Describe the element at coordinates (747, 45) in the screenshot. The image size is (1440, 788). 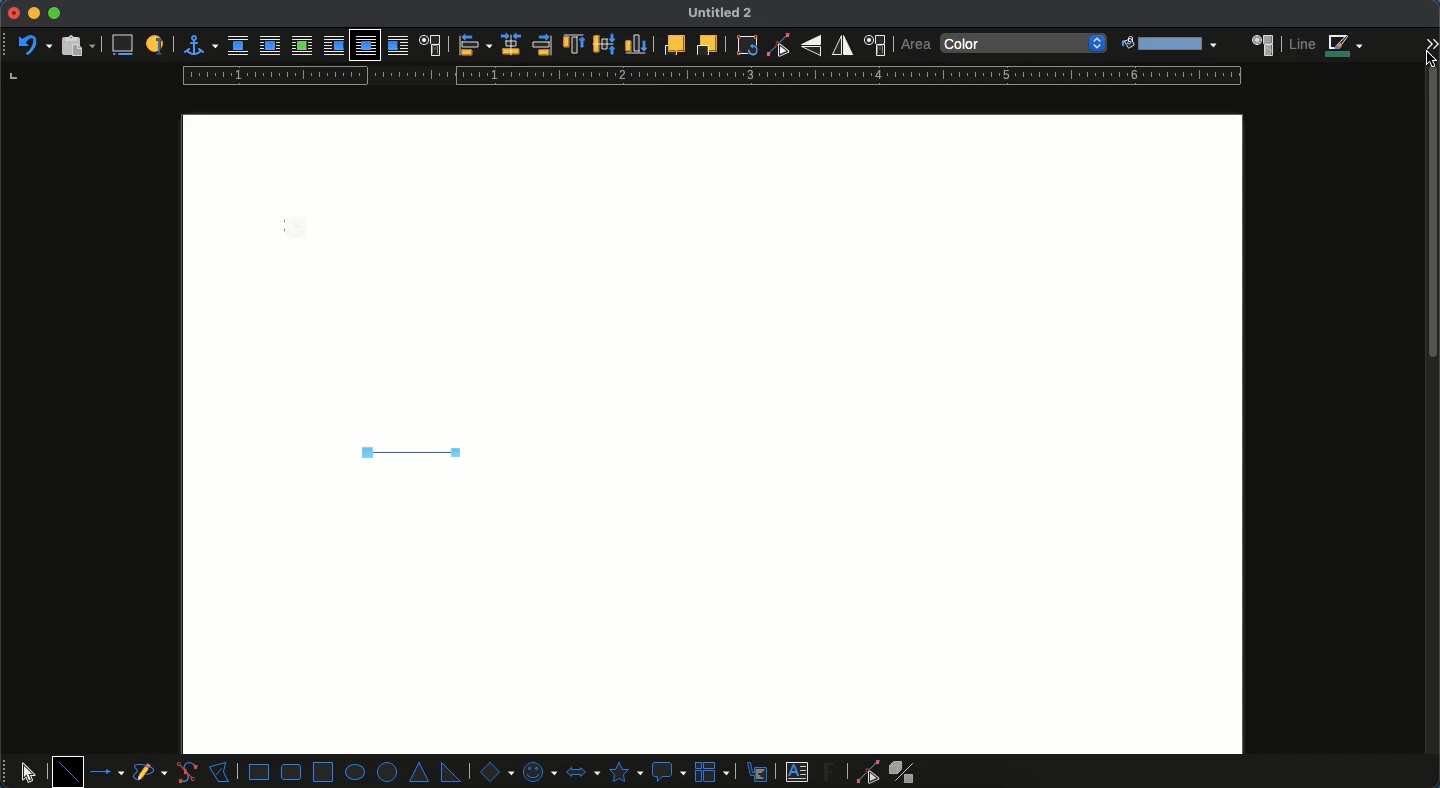
I see `rotate` at that location.